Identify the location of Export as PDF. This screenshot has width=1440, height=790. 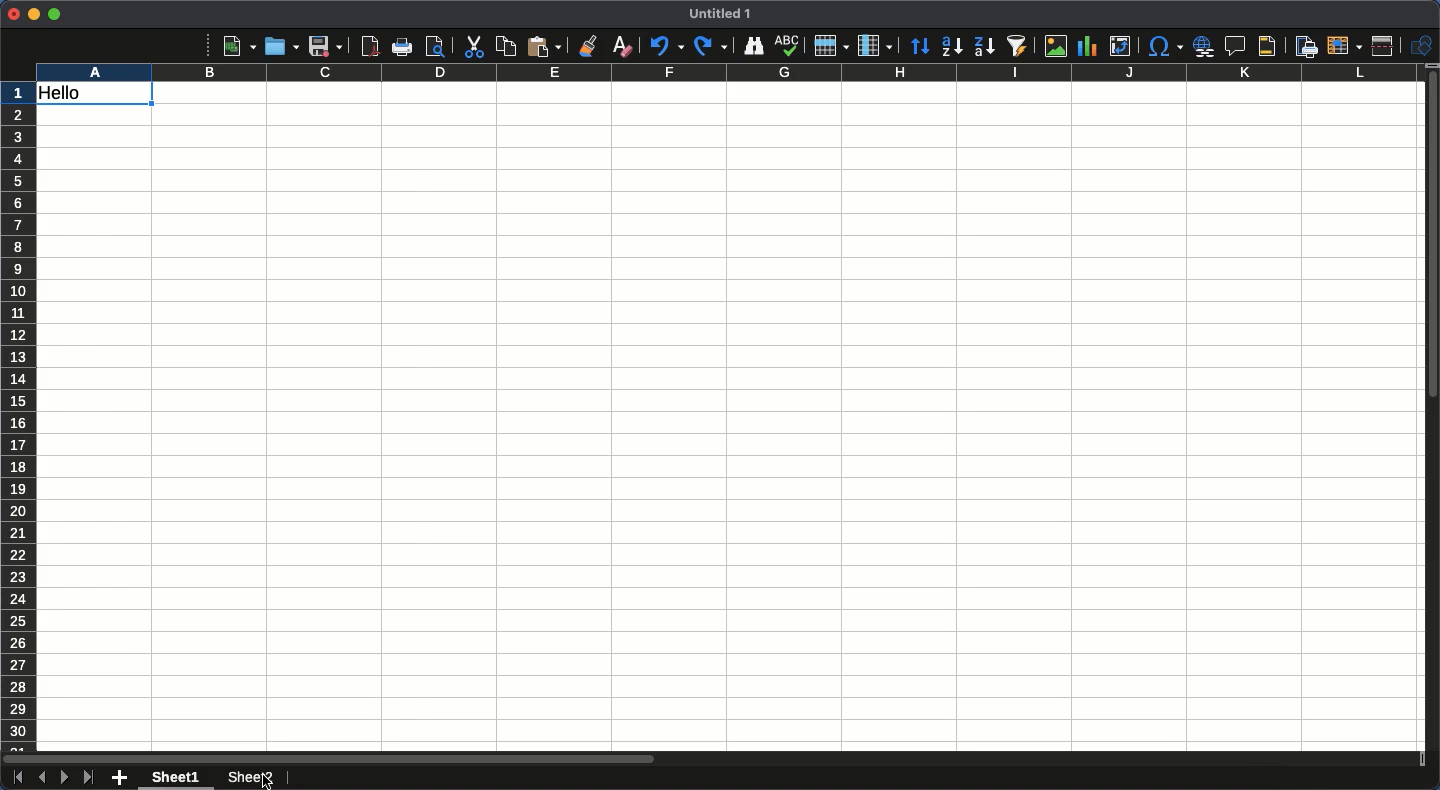
(369, 46).